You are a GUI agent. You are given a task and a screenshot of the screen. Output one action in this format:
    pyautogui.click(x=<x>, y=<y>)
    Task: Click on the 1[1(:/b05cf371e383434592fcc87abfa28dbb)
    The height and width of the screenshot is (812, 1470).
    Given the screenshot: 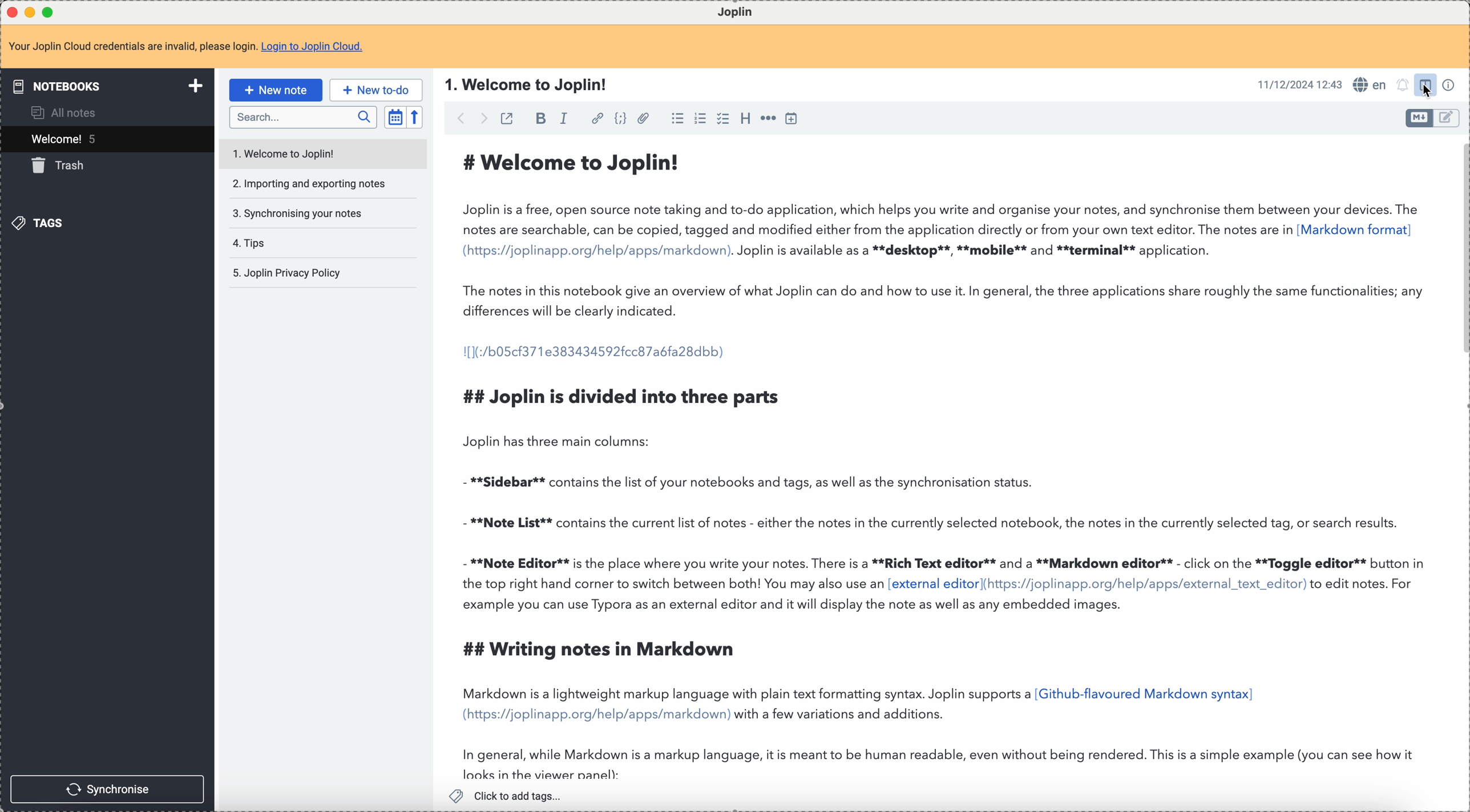 What is the action you would take?
    pyautogui.click(x=596, y=351)
    